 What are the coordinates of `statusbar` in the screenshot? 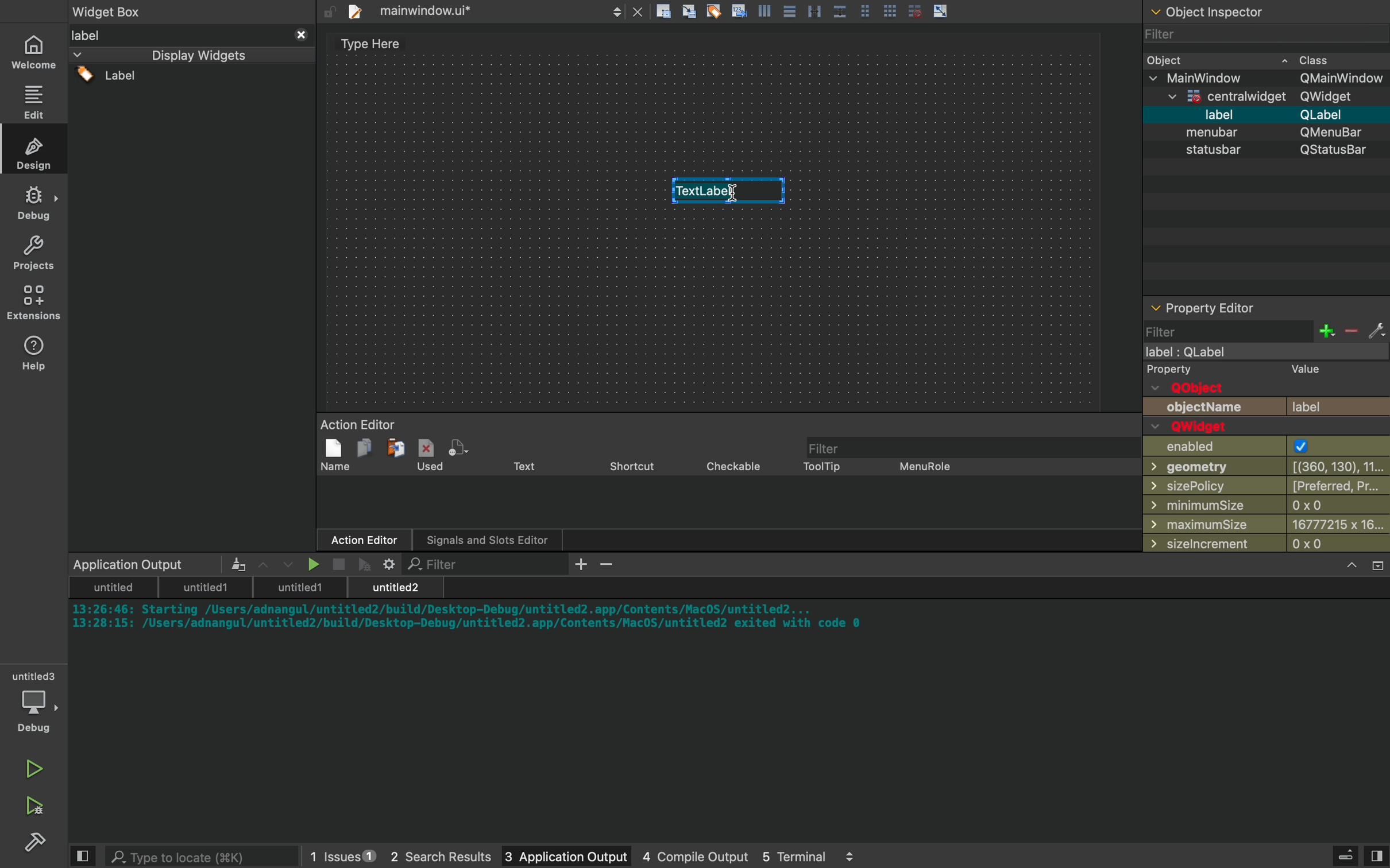 It's located at (1264, 153).